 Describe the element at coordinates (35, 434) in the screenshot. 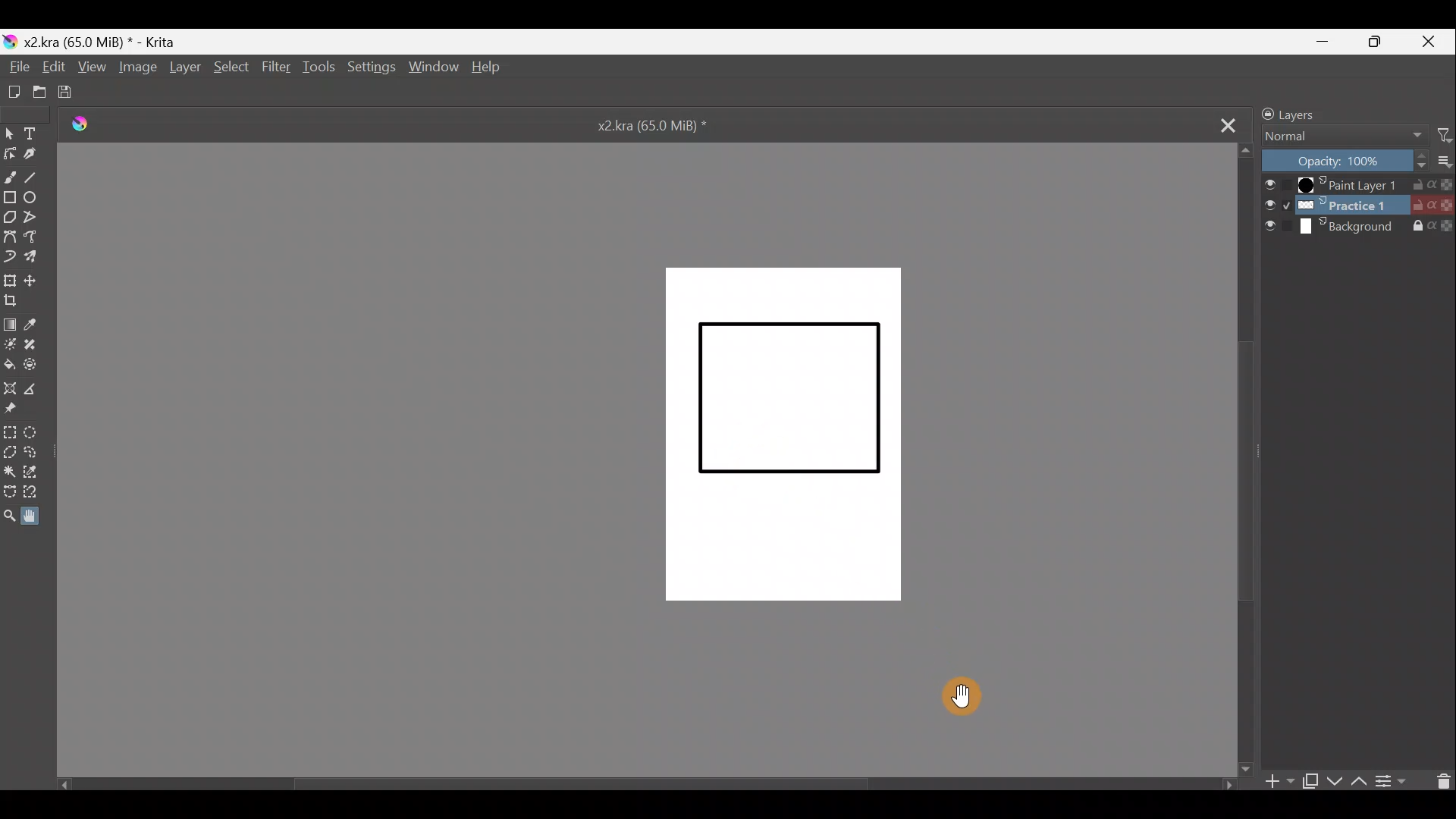

I see `Elliptical selection tool` at that location.